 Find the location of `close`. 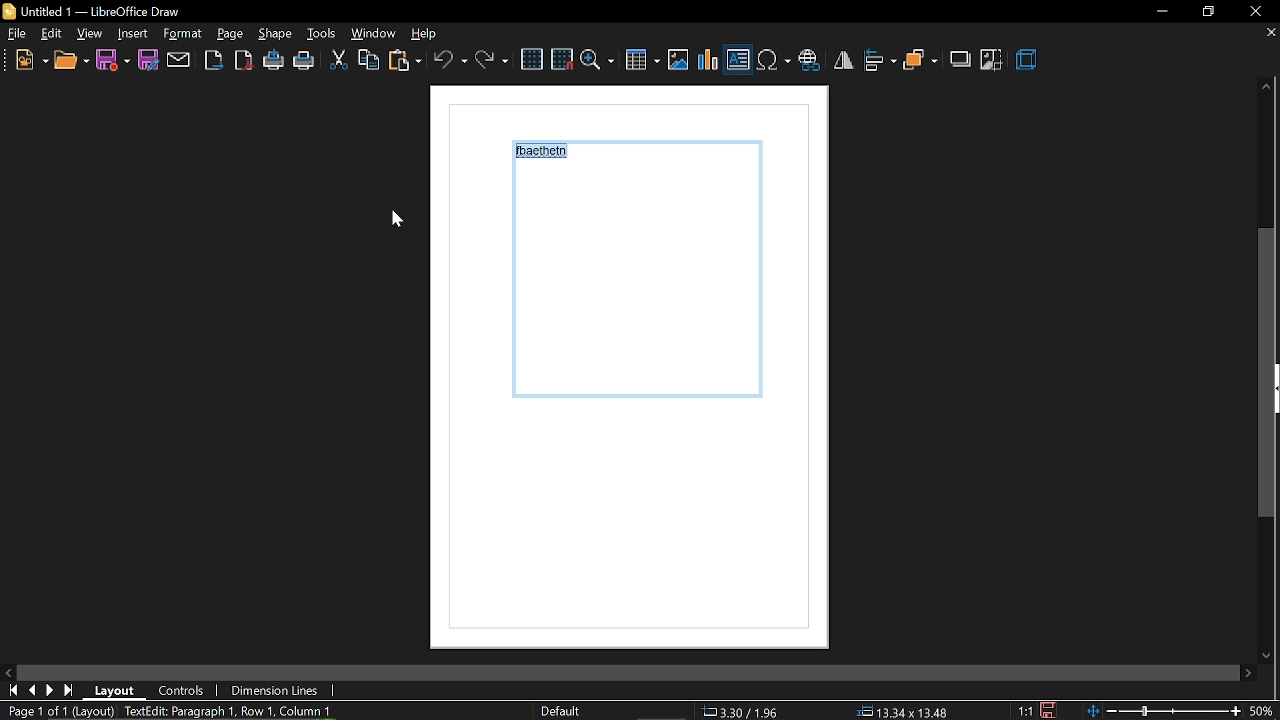

close is located at coordinates (1257, 11).